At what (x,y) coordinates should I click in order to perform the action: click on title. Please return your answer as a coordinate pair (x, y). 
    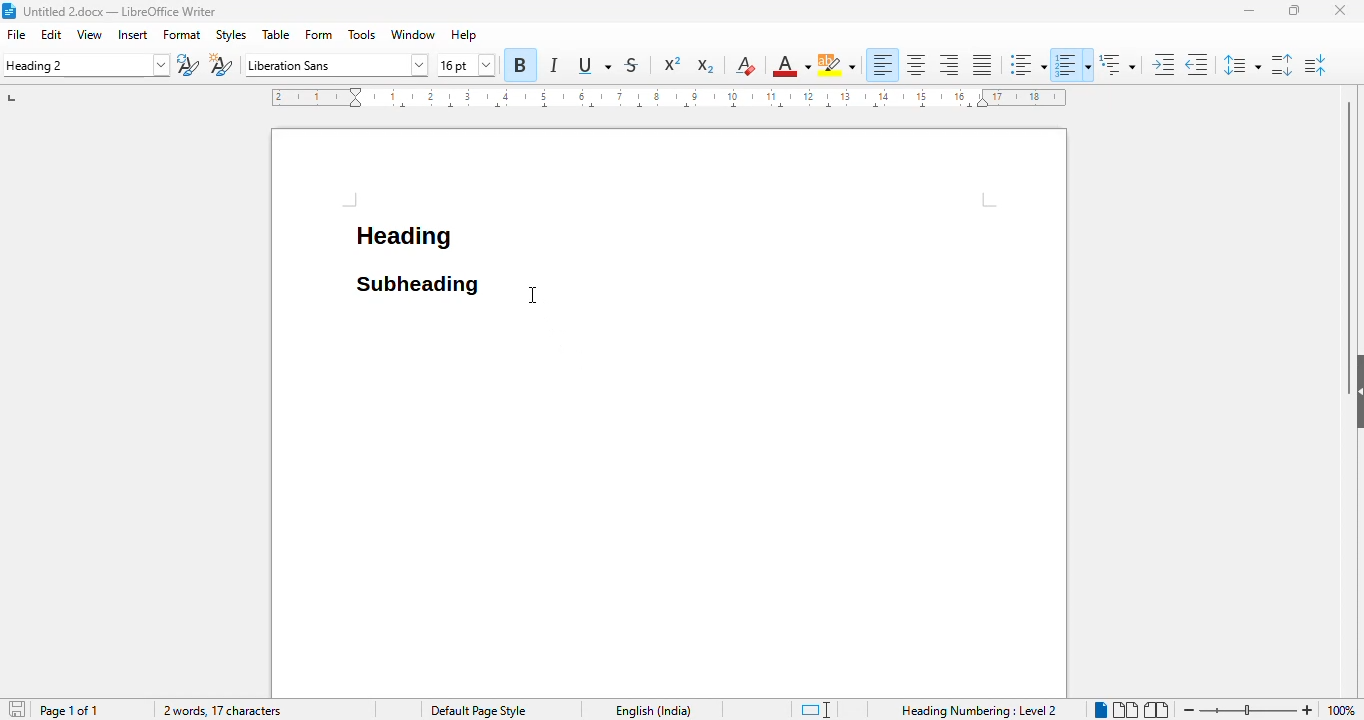
    Looking at the image, I should click on (120, 11).